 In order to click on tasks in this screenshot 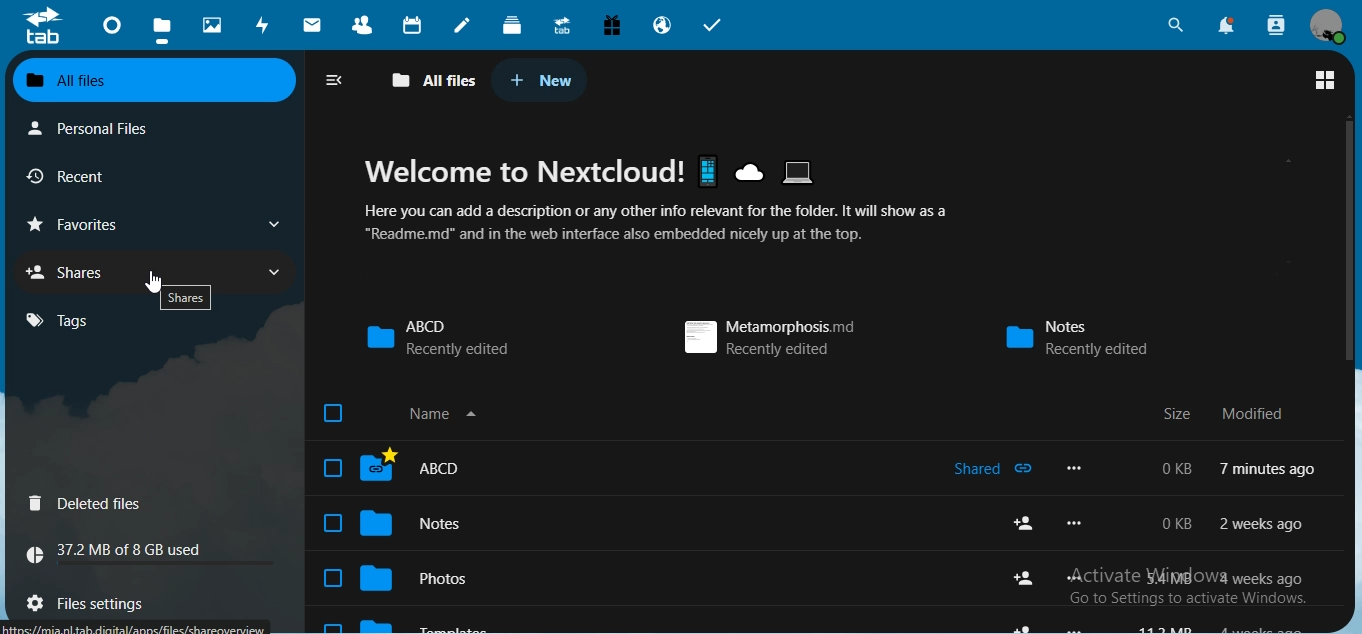, I will do `click(713, 24)`.